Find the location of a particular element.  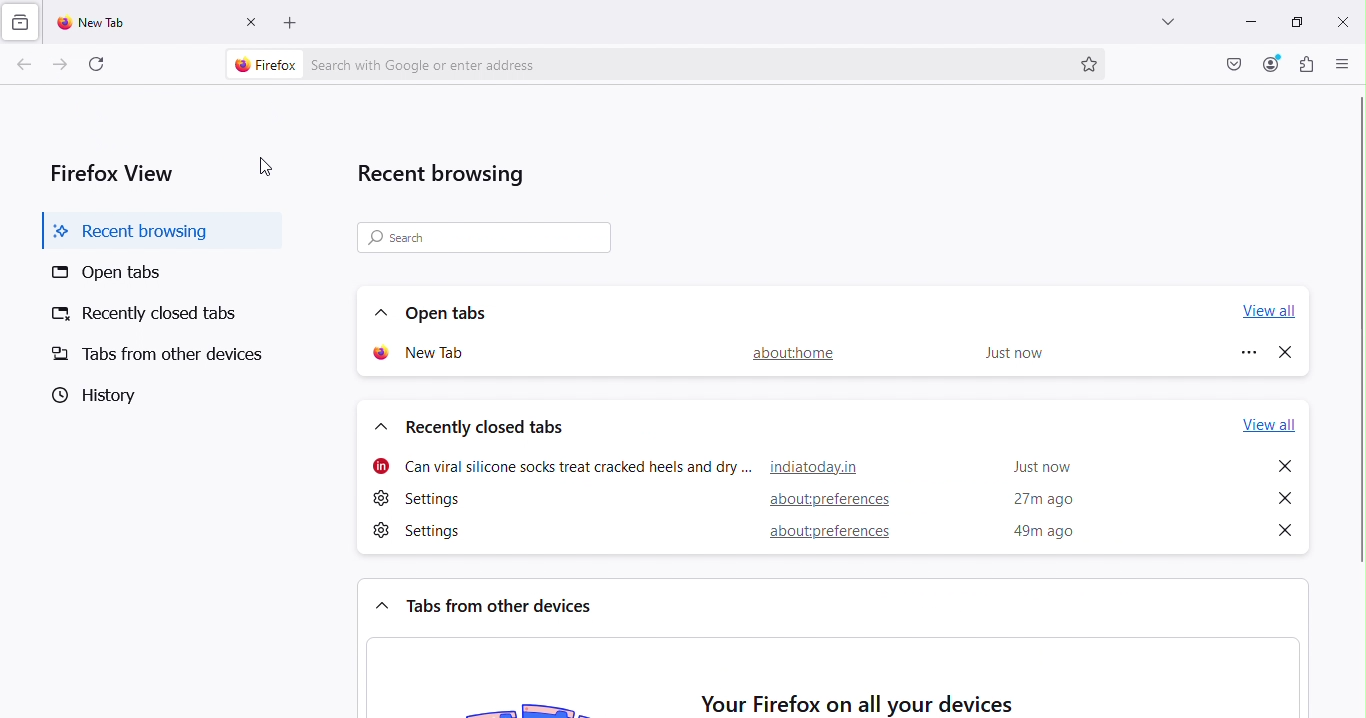

add new tab is located at coordinates (291, 24).